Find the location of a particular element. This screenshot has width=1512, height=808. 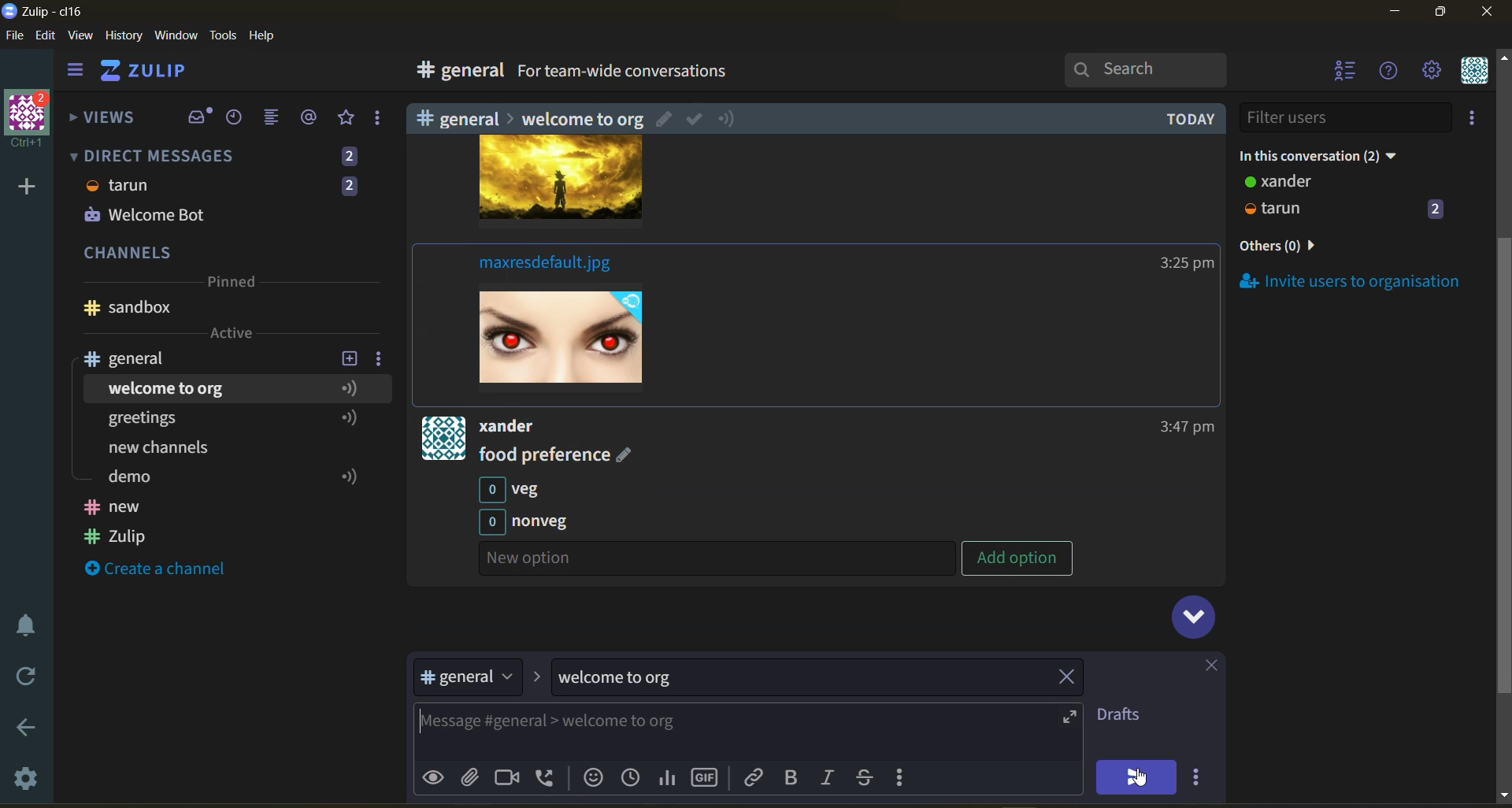

favorites is located at coordinates (347, 118).